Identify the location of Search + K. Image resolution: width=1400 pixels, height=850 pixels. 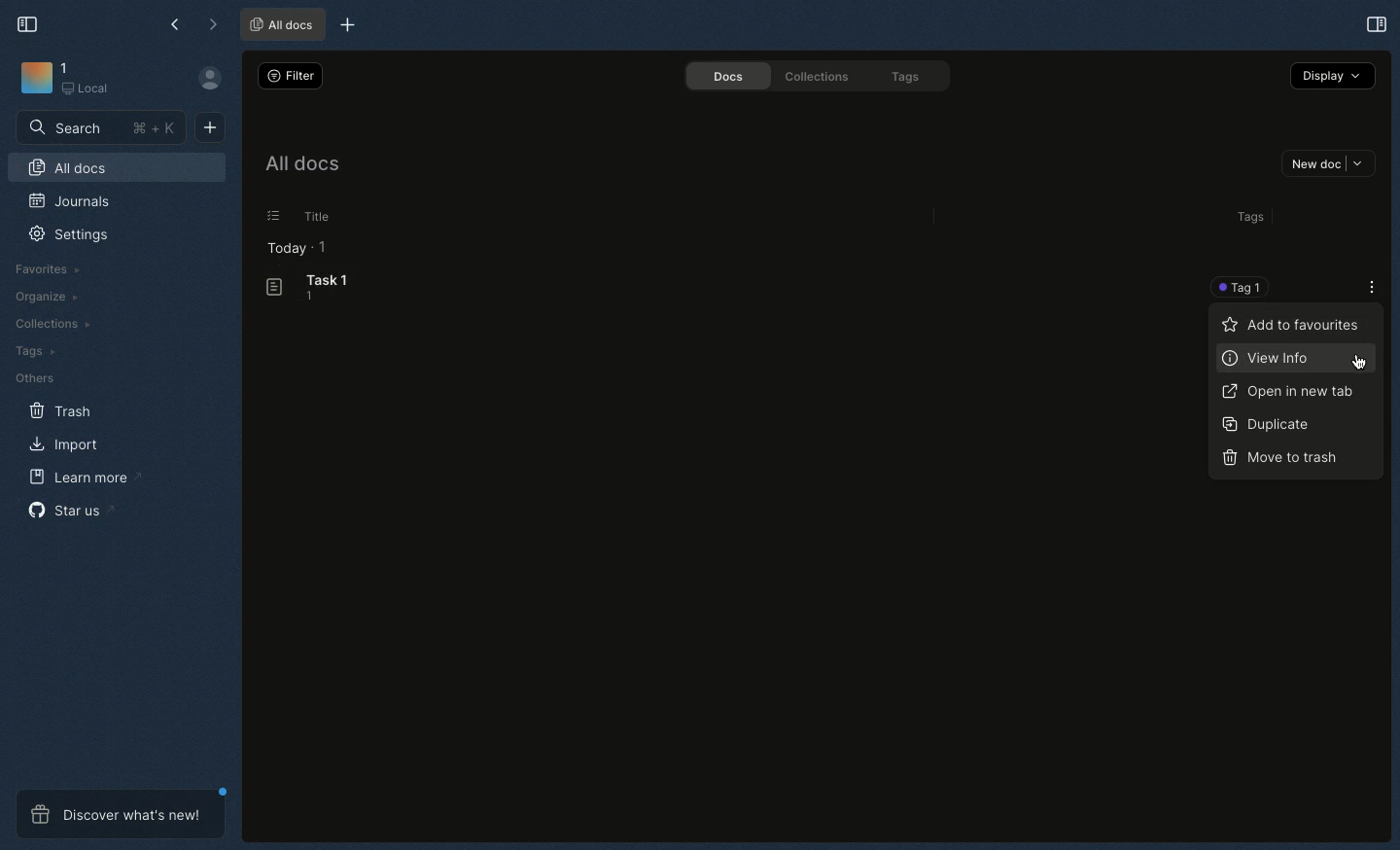
(101, 127).